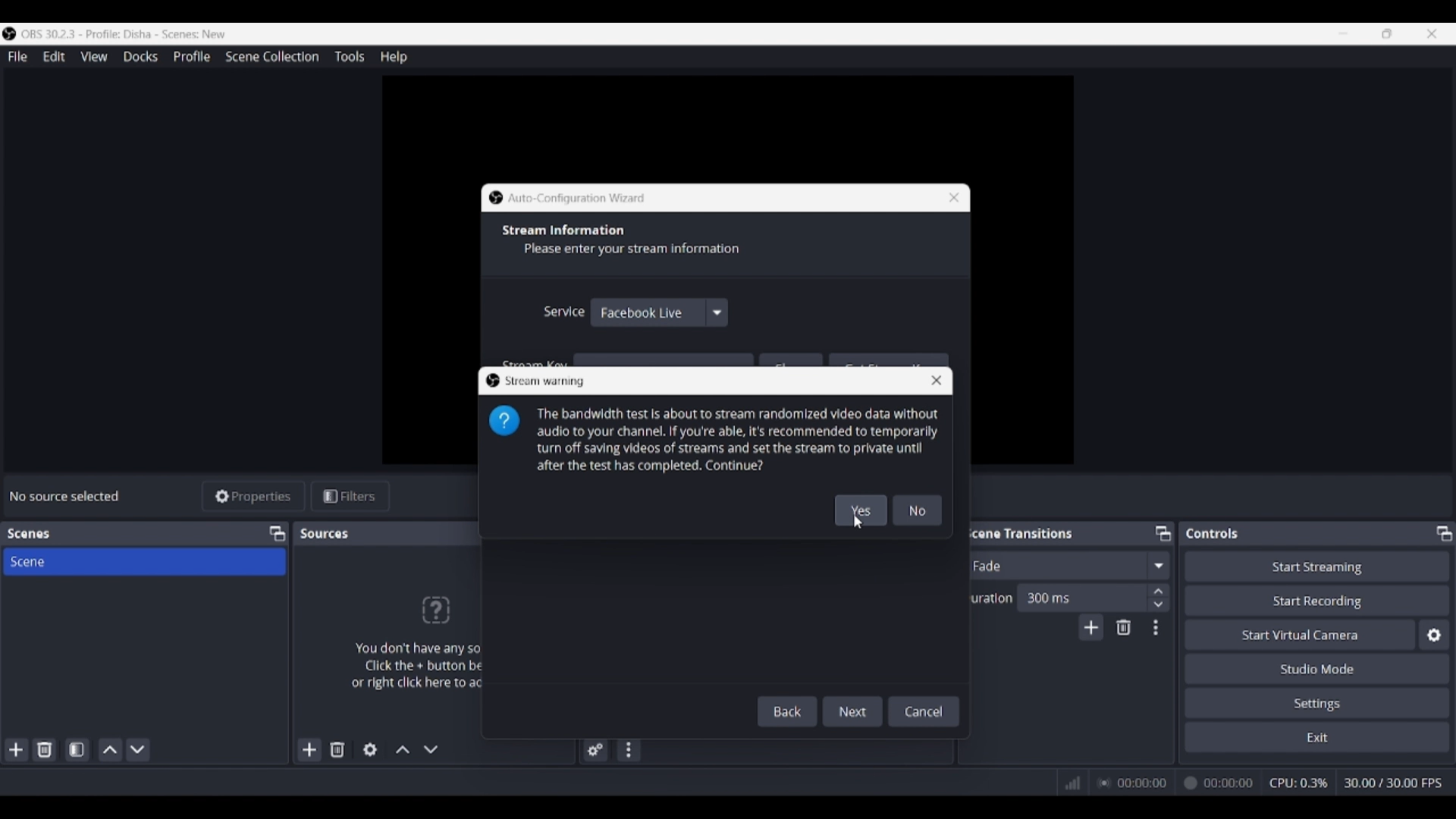 The width and height of the screenshot is (1456, 819). I want to click on Network, so click(1068, 783).